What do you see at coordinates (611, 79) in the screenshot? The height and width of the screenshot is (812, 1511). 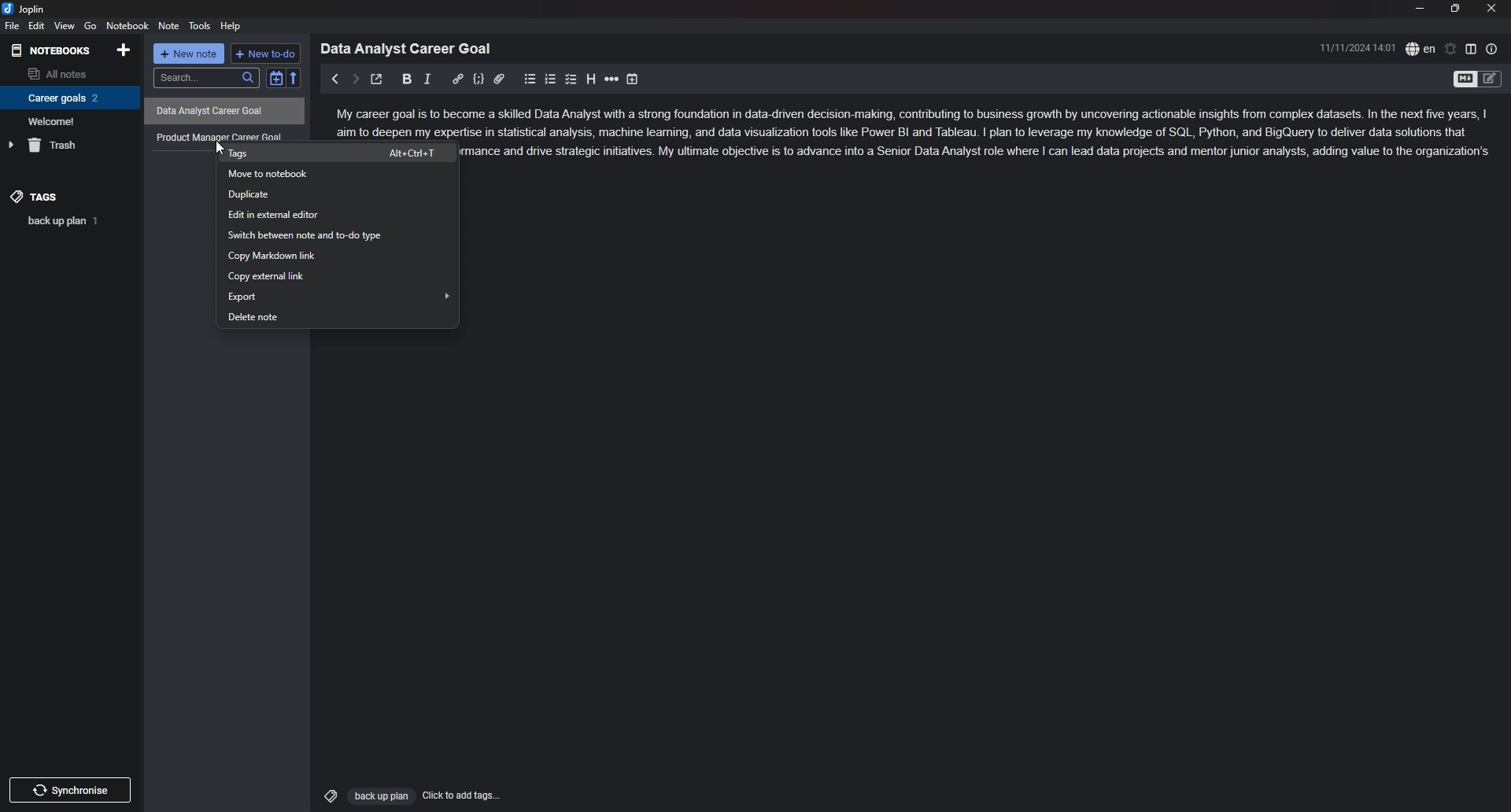 I see `horizontal rule` at bounding box center [611, 79].